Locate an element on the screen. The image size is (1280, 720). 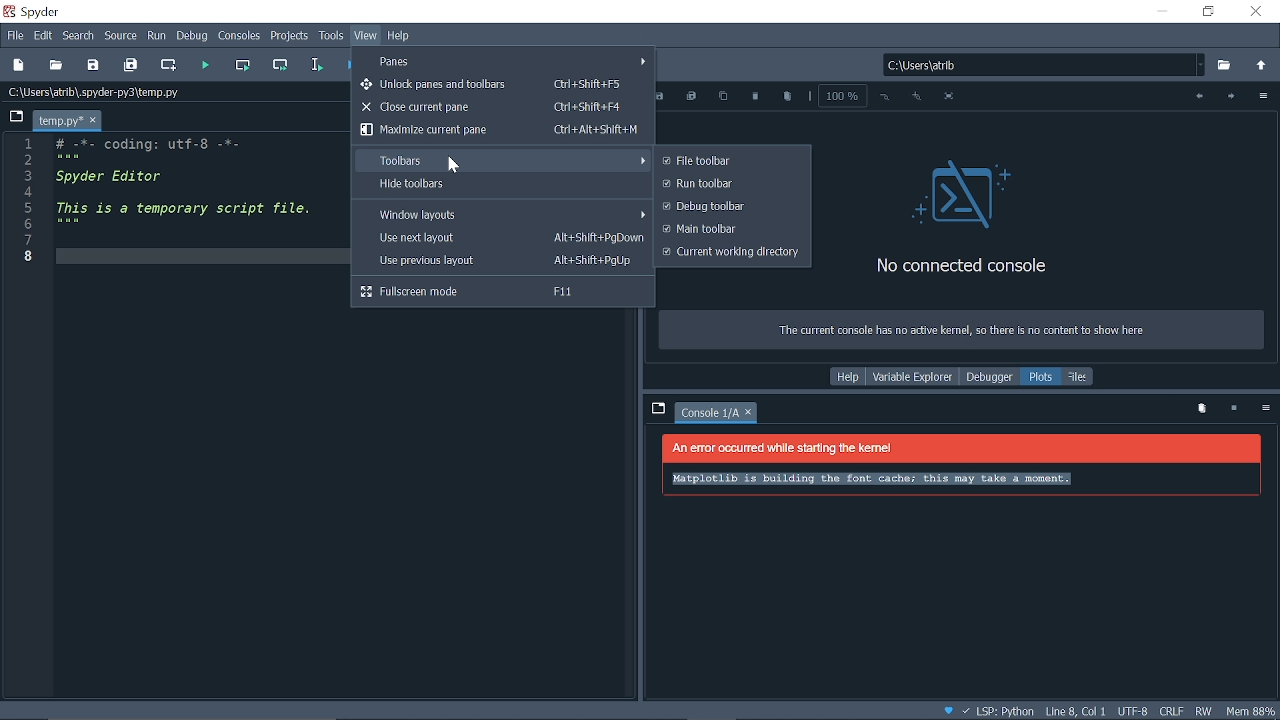
Run file is located at coordinates (208, 64).